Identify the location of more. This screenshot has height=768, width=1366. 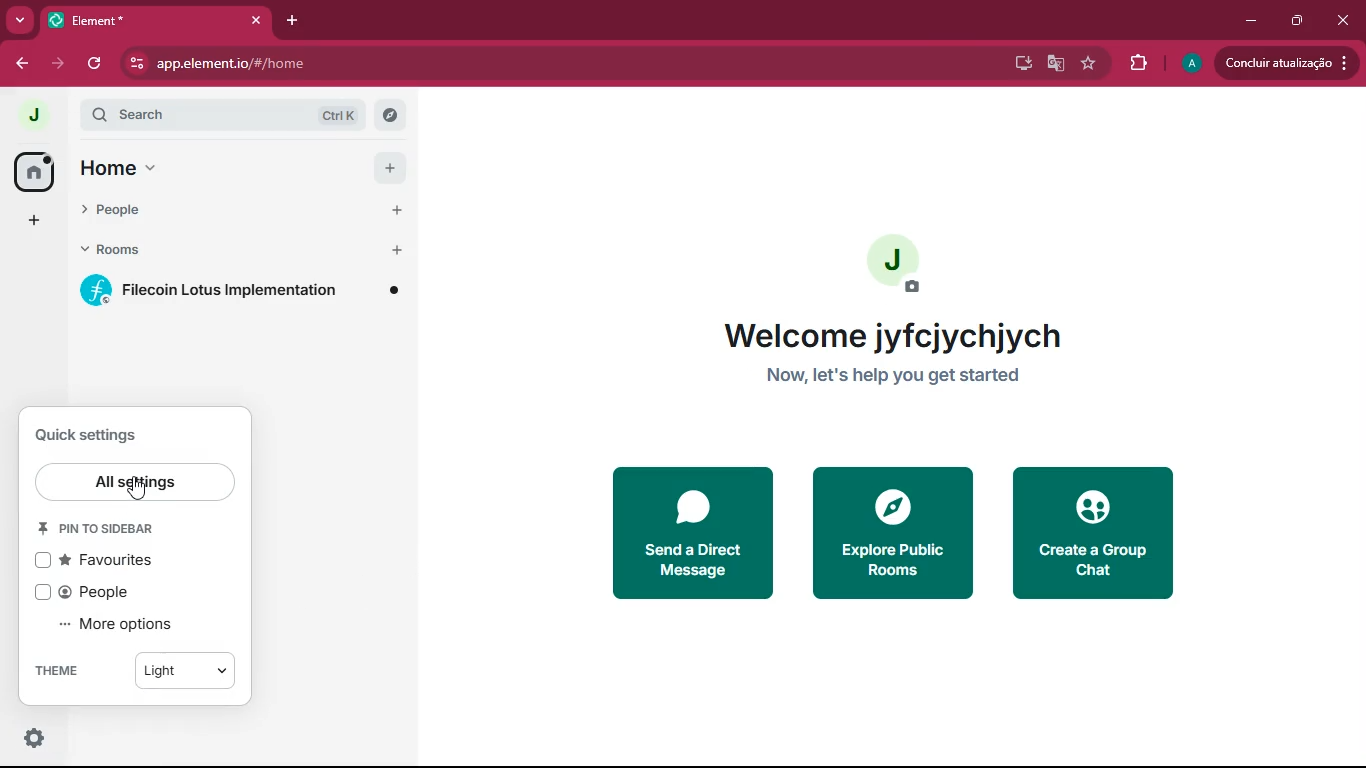
(20, 19).